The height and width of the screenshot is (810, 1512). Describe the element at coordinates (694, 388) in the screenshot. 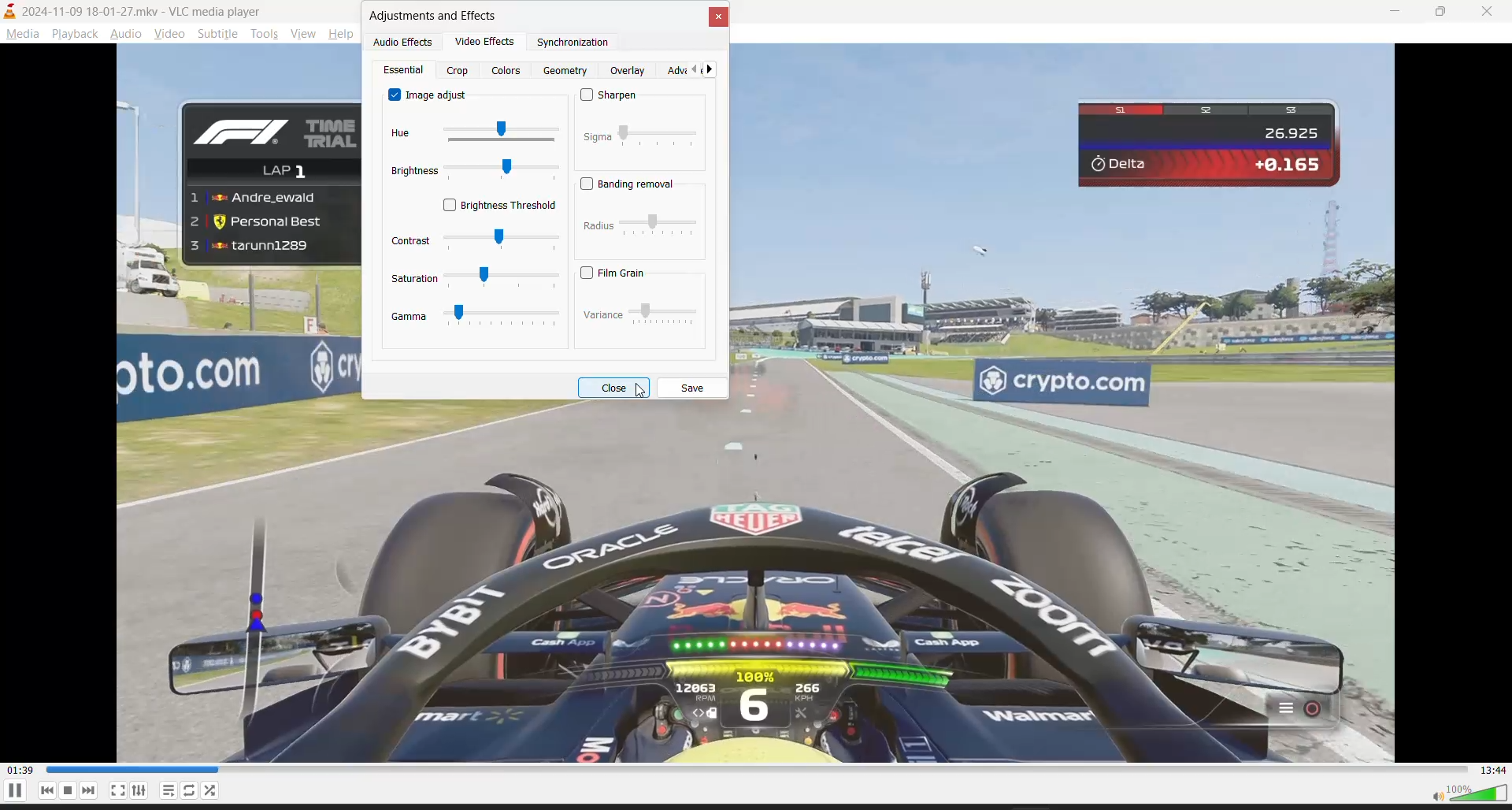

I see `save` at that location.